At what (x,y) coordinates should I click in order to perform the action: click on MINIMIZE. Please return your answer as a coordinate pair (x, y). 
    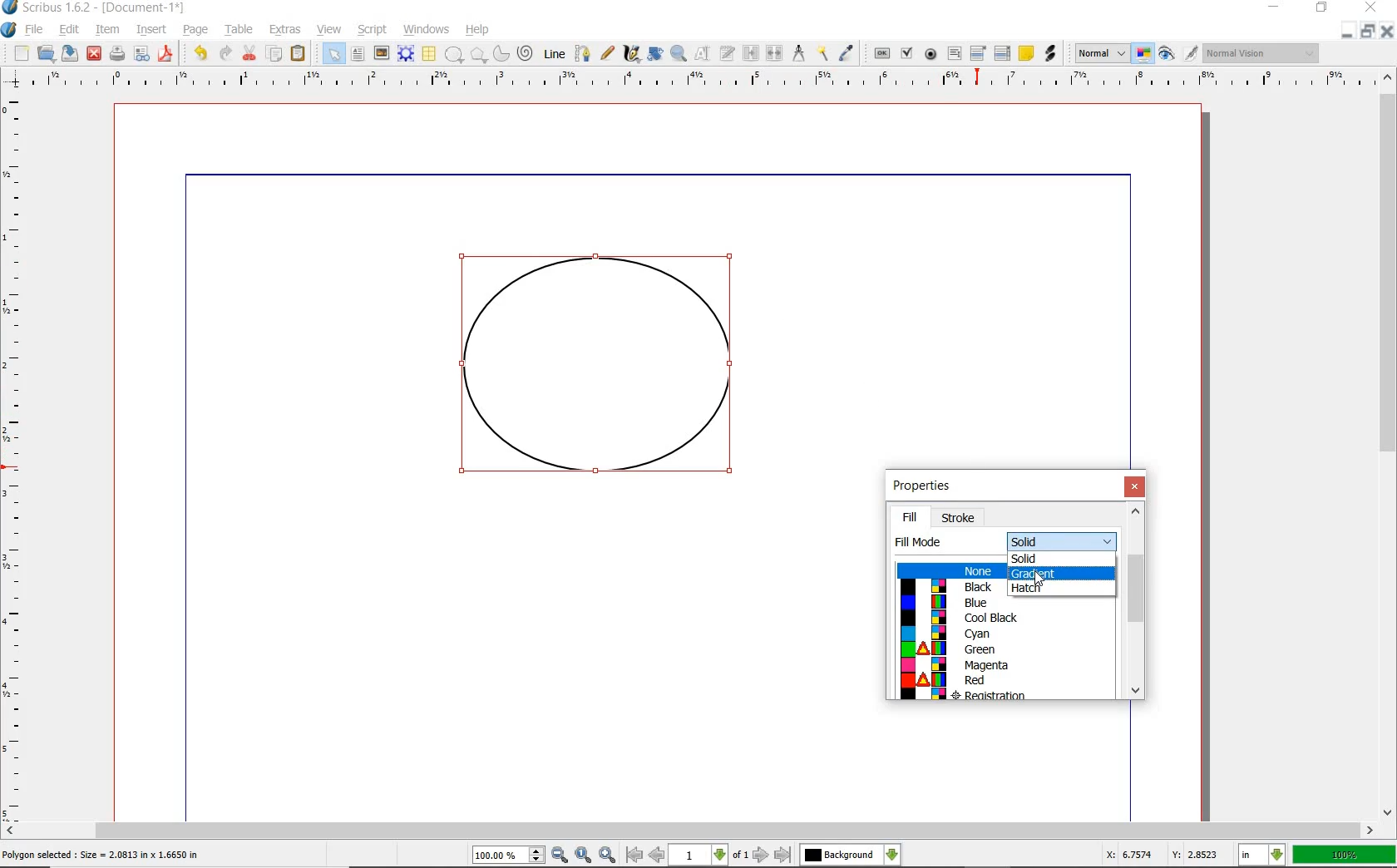
    Looking at the image, I should click on (1346, 32).